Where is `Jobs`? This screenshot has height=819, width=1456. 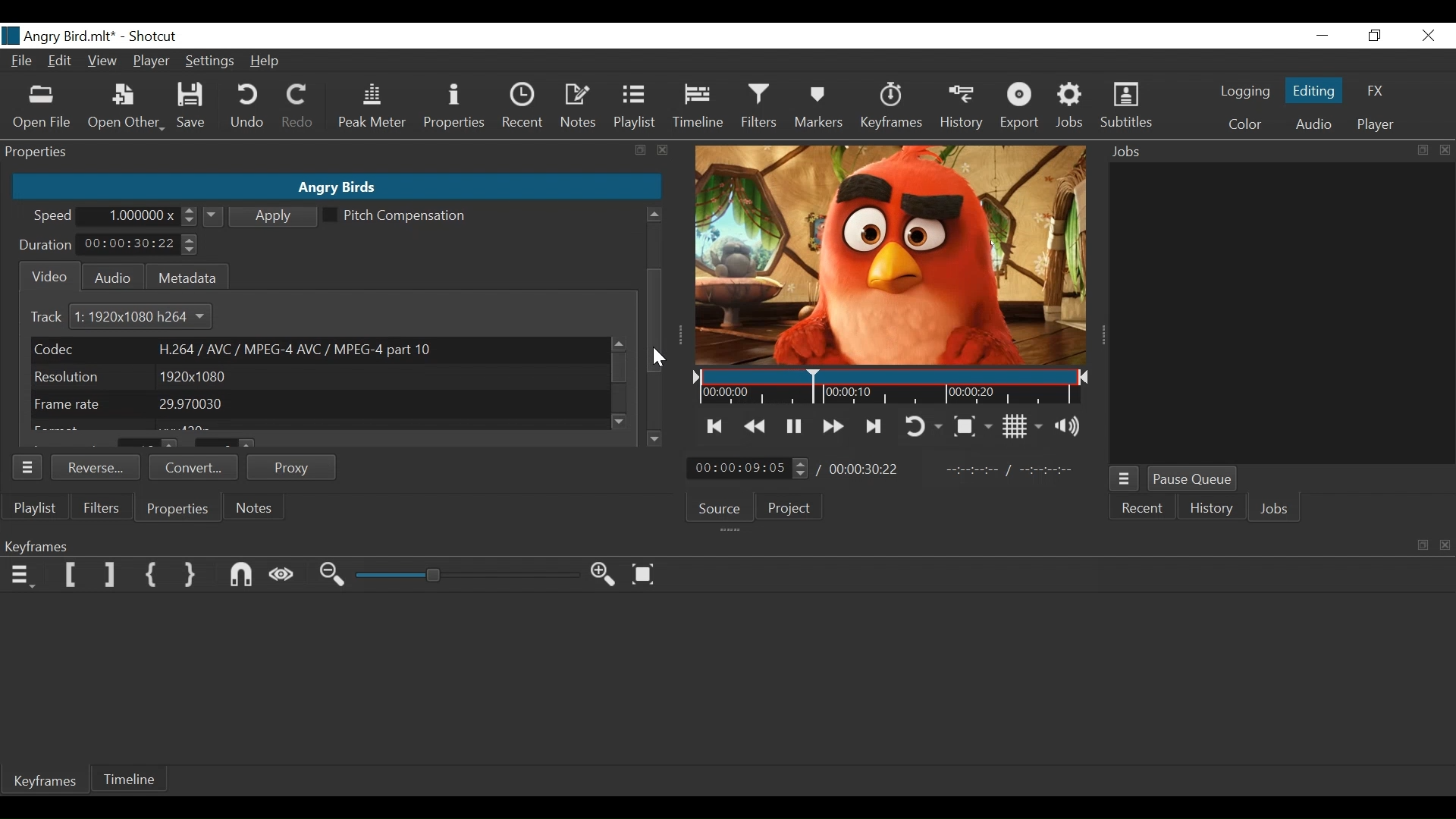 Jobs is located at coordinates (1276, 509).